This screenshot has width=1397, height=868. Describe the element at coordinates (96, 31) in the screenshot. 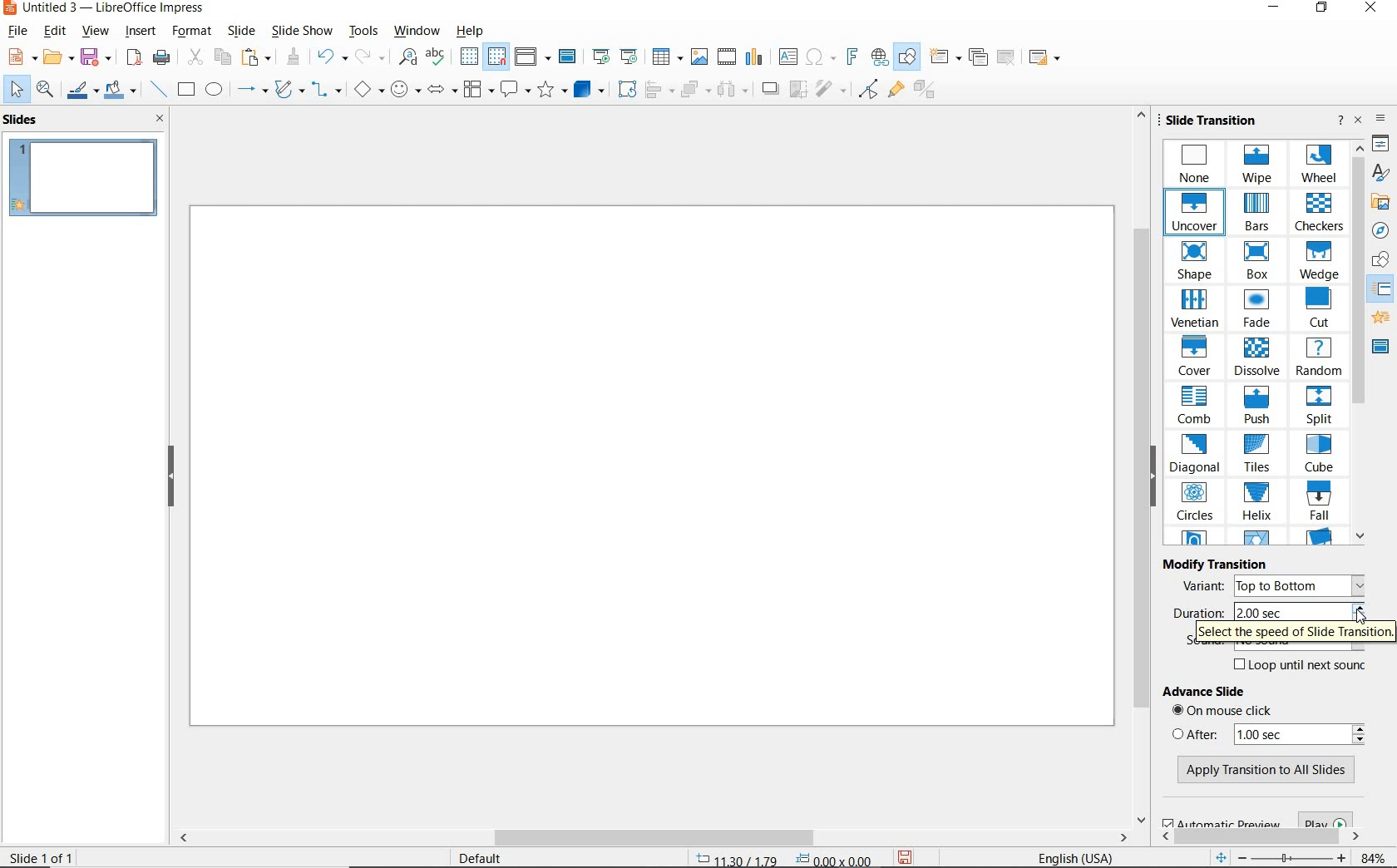

I see `VIEW` at that location.